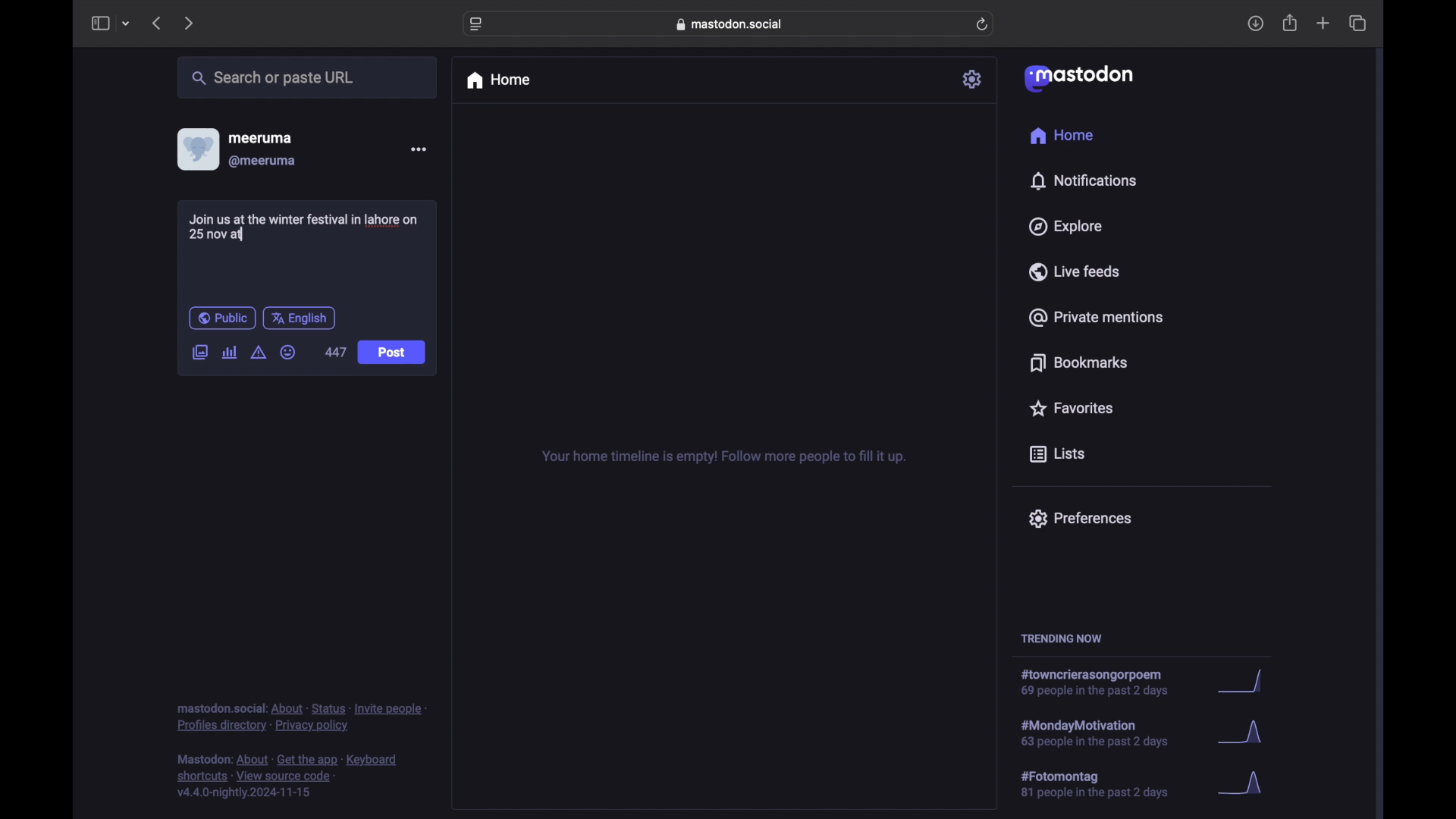 This screenshot has height=819, width=1456. What do you see at coordinates (258, 353) in the screenshot?
I see `add content warning` at bounding box center [258, 353].